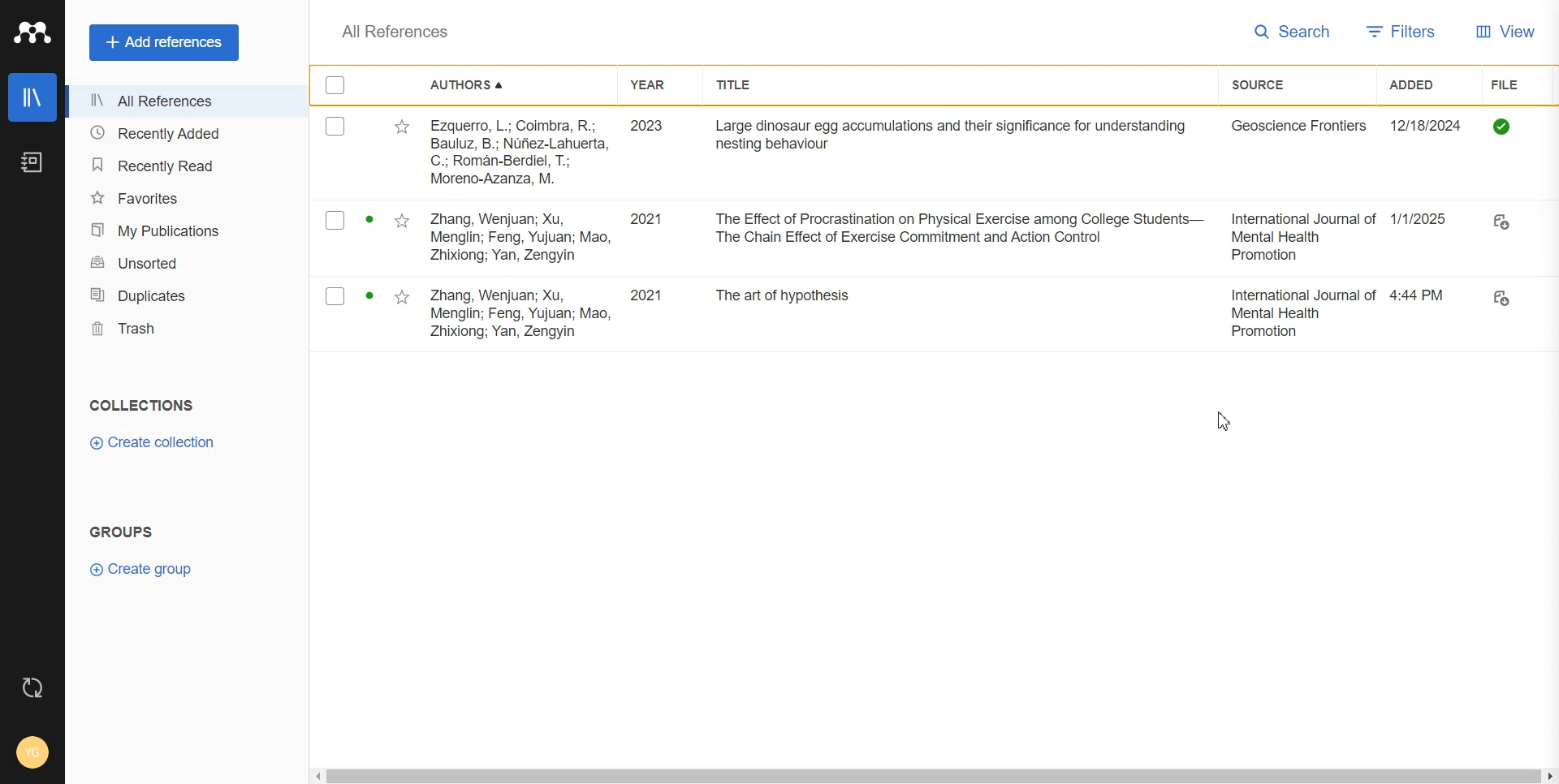 This screenshot has height=784, width=1559. What do you see at coordinates (952, 134) in the screenshot?
I see `Large dinosaur egg accumulations and their significance` at bounding box center [952, 134].